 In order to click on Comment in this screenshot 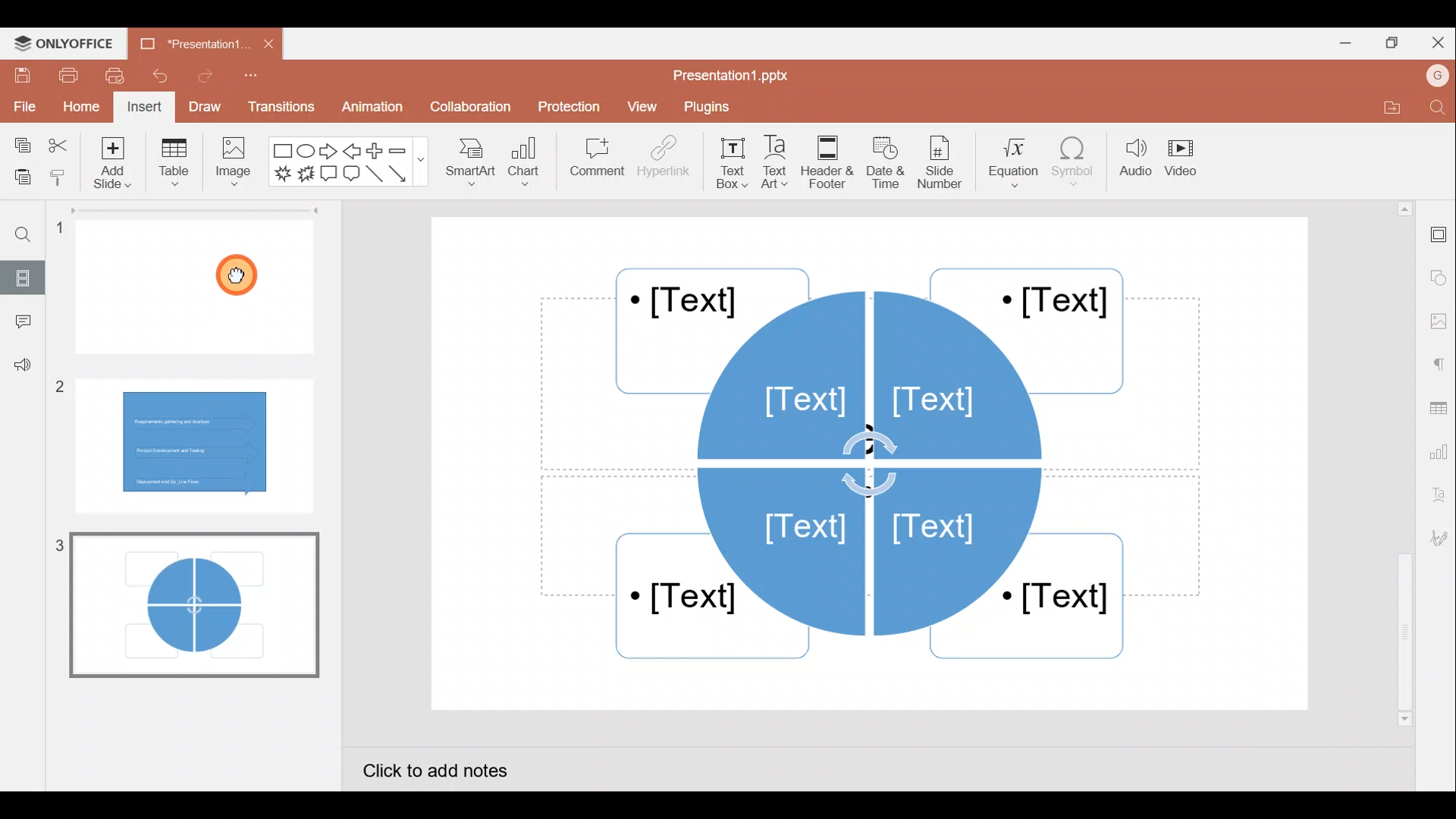, I will do `click(19, 322)`.